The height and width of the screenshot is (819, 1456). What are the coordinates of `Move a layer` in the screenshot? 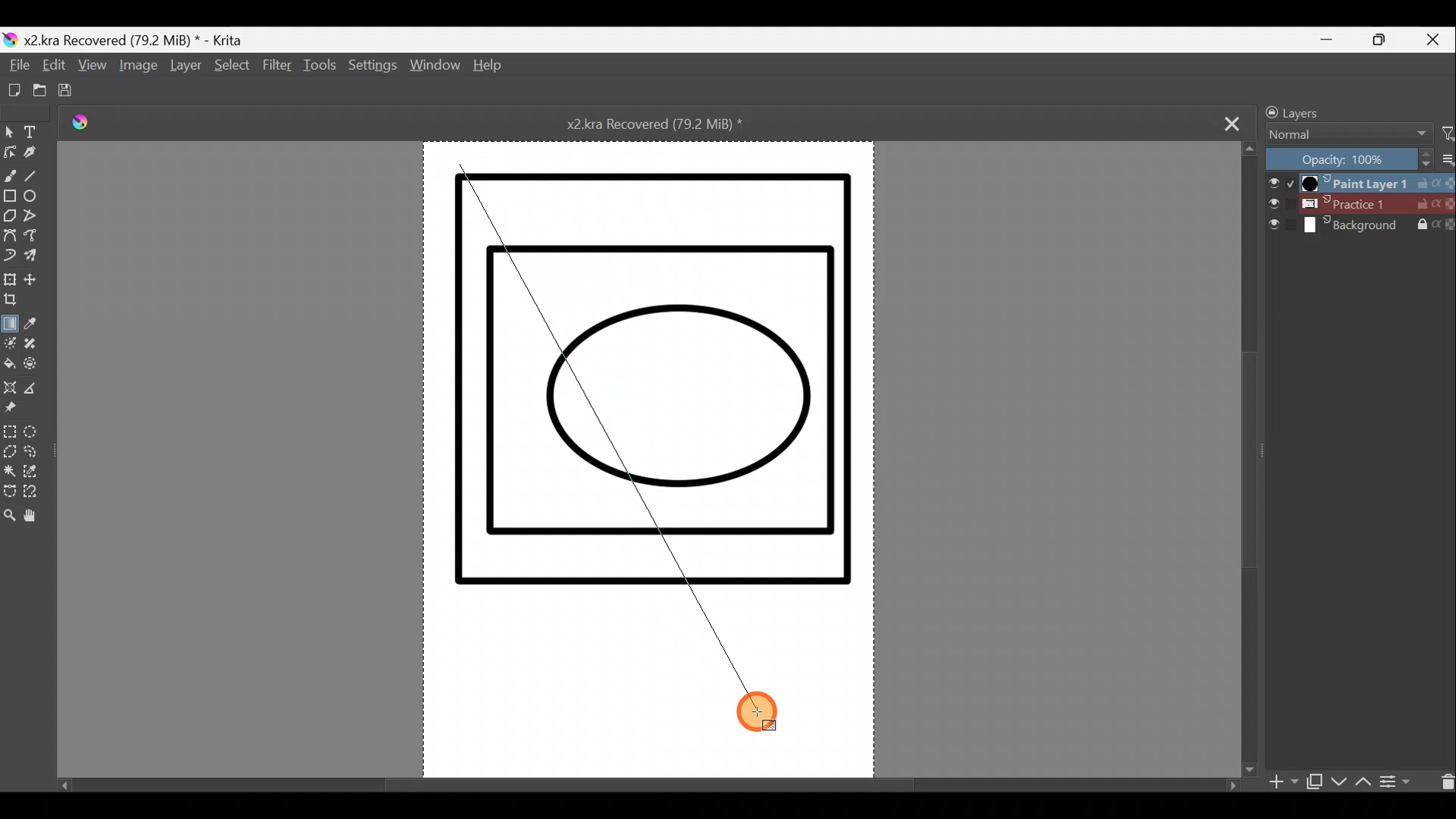 It's located at (38, 279).